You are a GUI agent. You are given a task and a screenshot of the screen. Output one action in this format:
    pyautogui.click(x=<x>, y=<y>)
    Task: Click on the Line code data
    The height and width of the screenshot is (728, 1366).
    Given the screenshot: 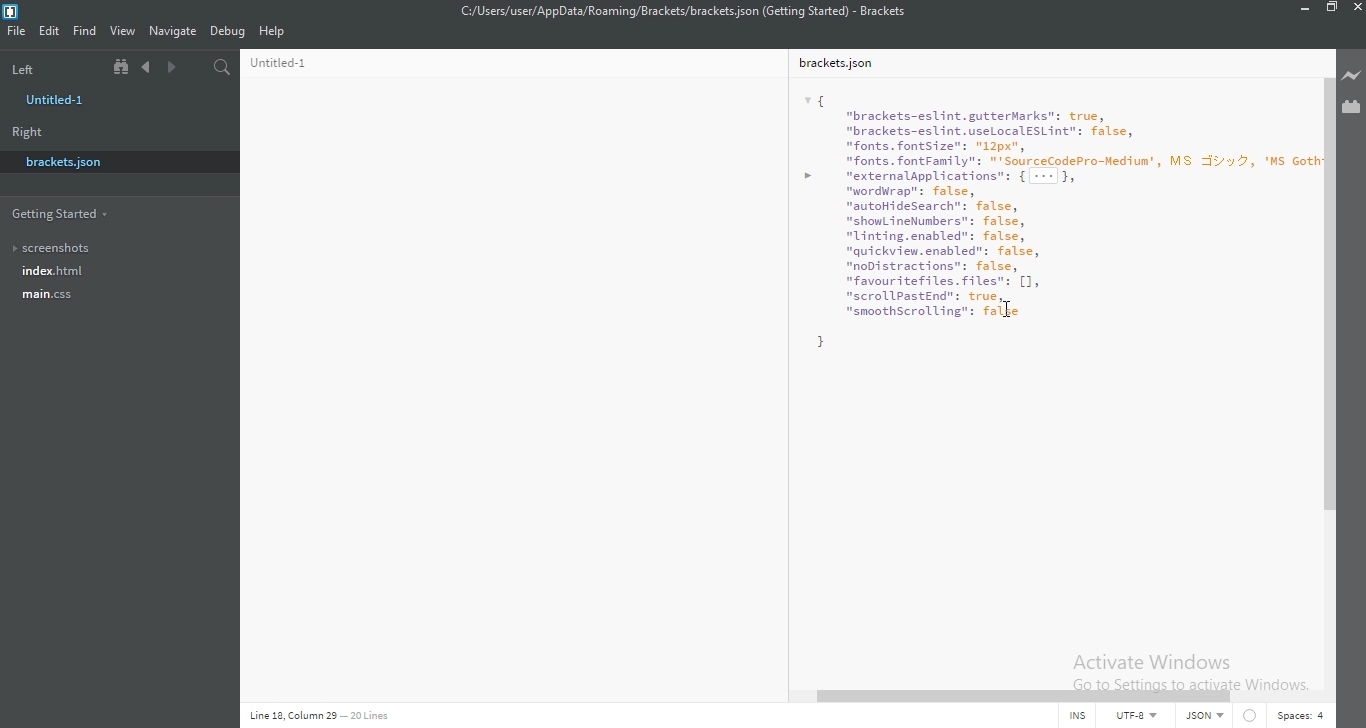 What is the action you would take?
    pyautogui.click(x=367, y=717)
    